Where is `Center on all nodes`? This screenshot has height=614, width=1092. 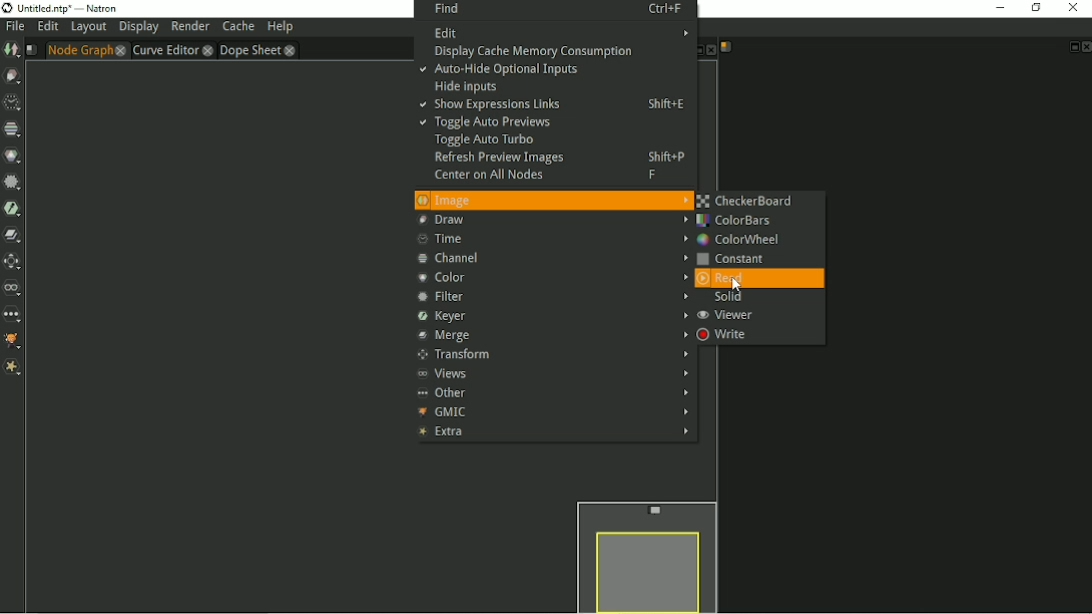 Center on all nodes is located at coordinates (548, 177).